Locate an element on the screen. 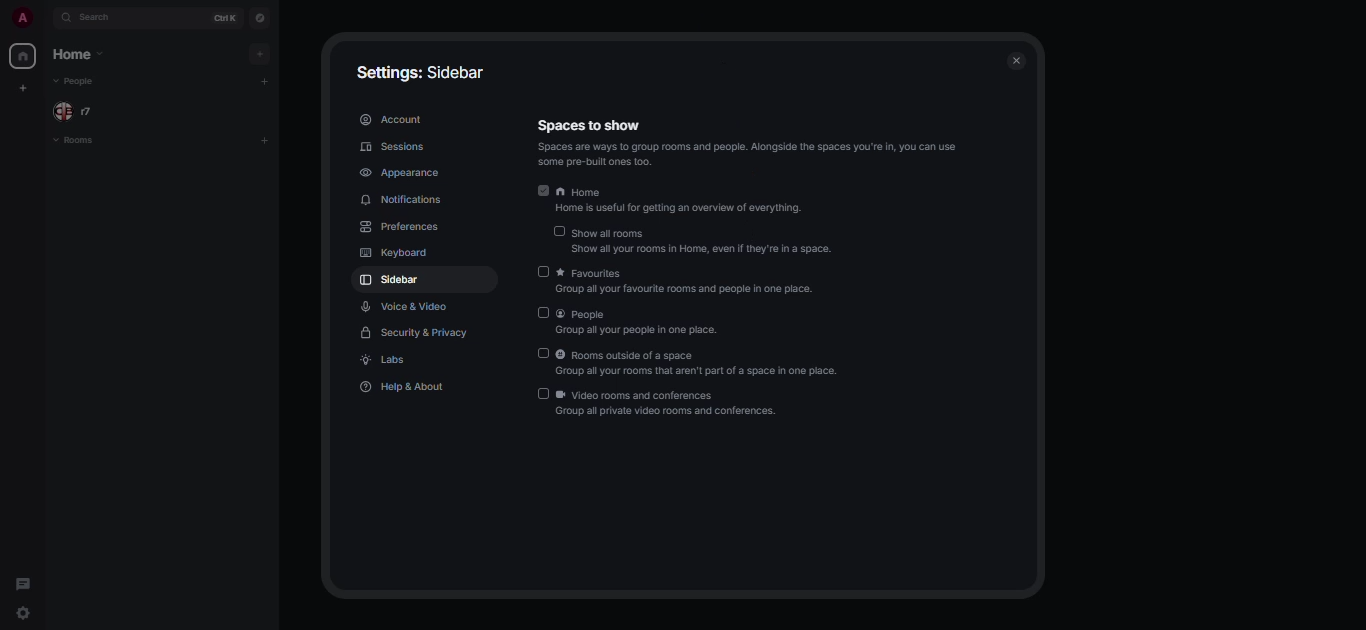 This screenshot has width=1366, height=630. home is located at coordinates (684, 202).